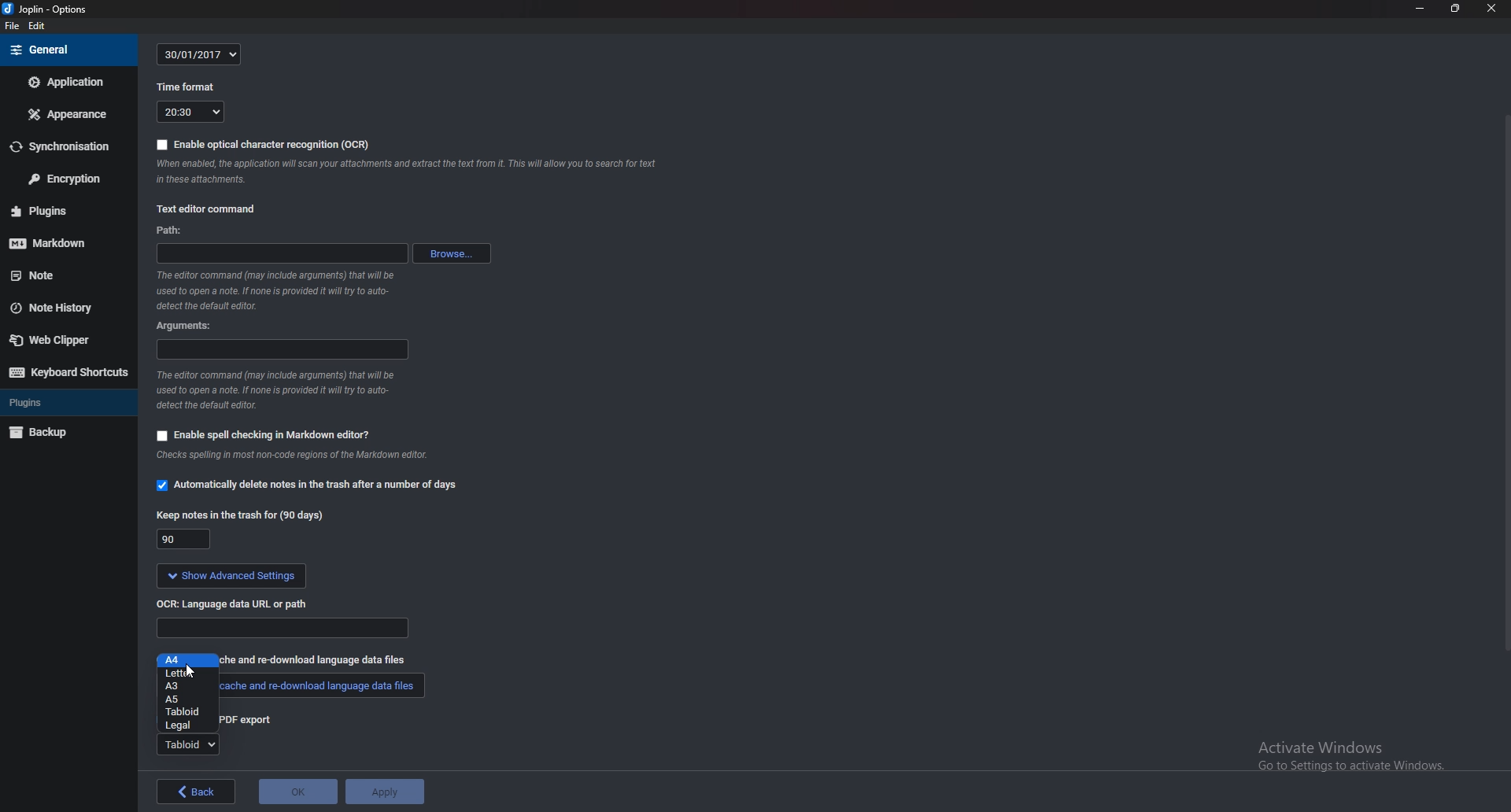 This screenshot has height=812, width=1511. I want to click on path, so click(289, 630).